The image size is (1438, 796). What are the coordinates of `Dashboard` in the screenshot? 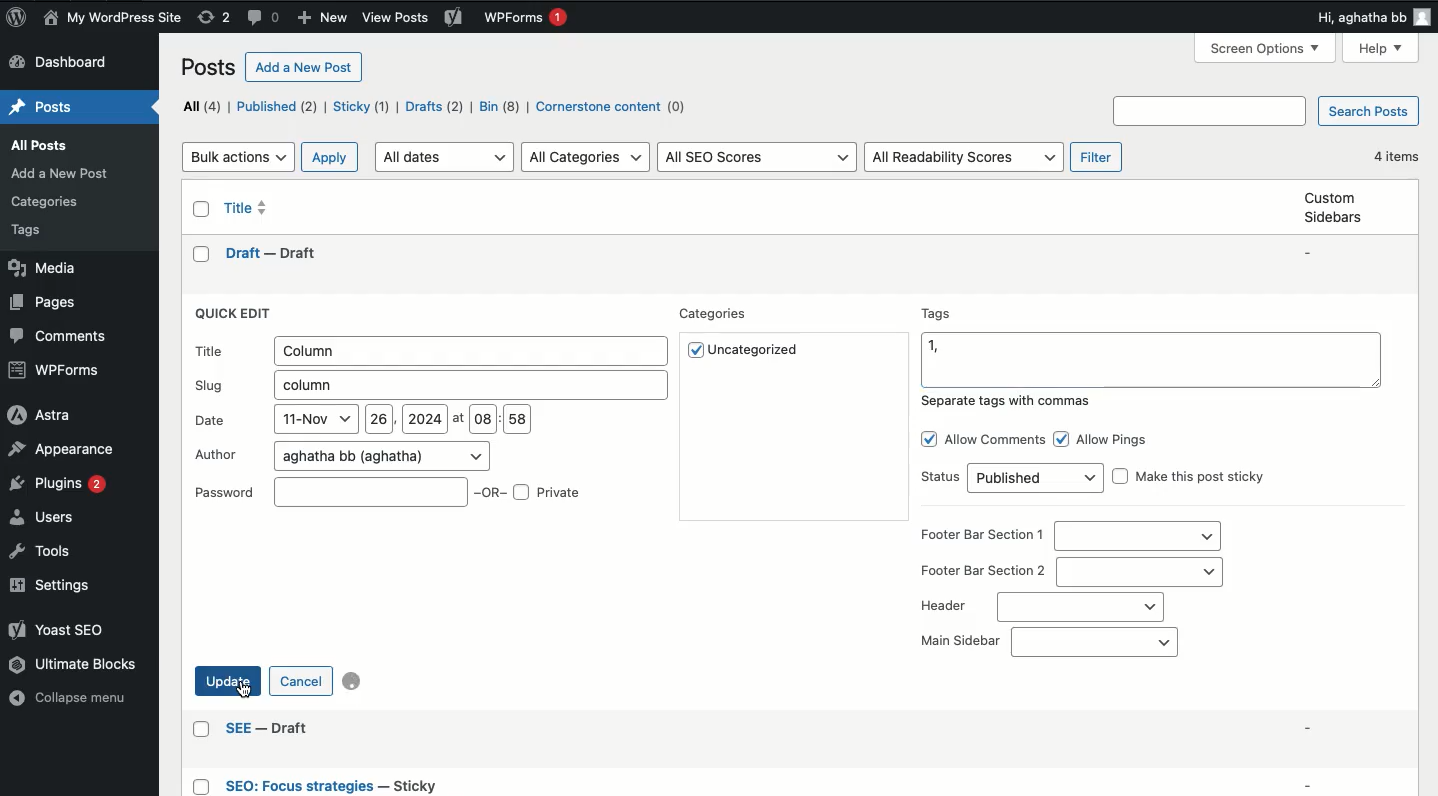 It's located at (70, 63).